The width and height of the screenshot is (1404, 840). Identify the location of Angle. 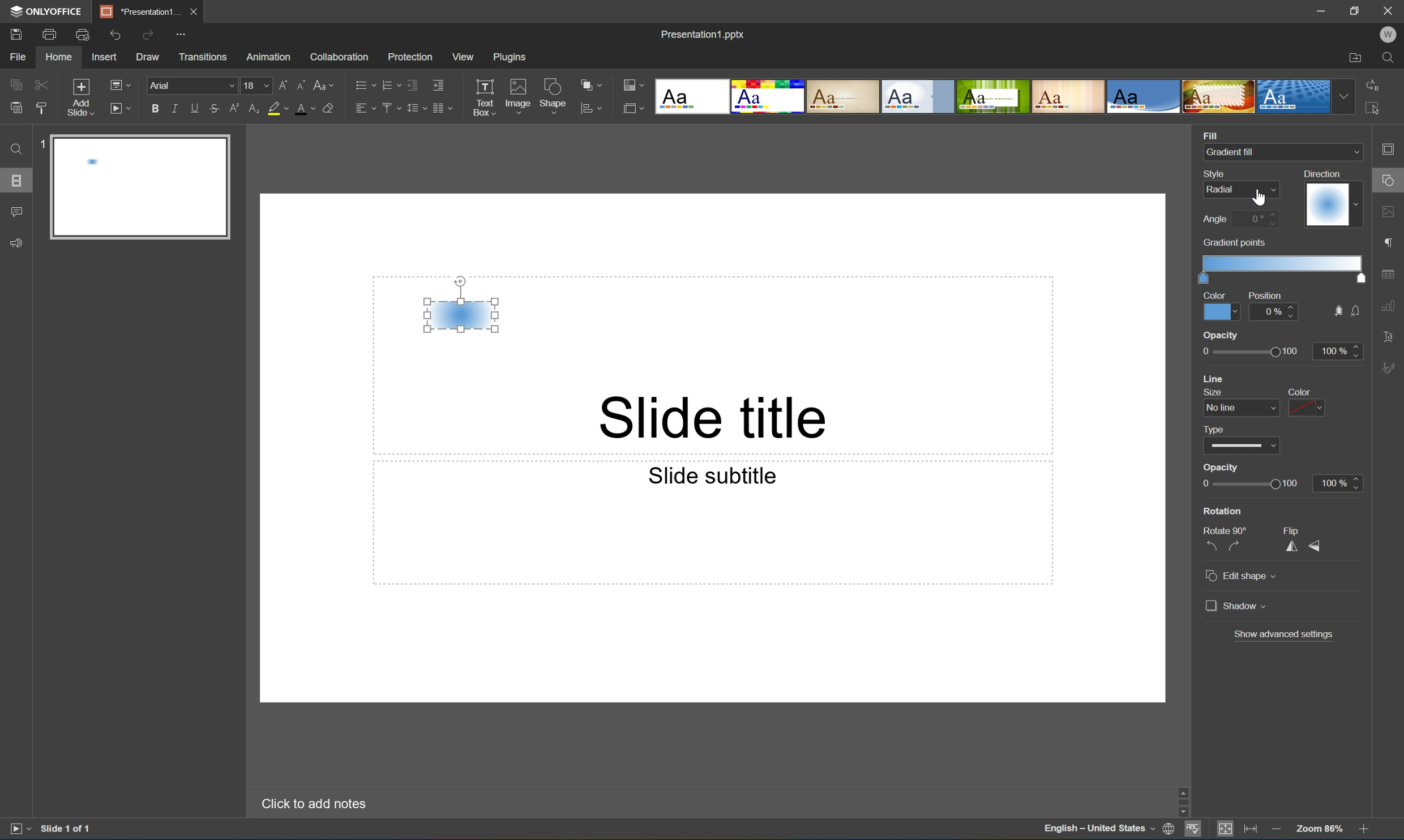
(1215, 218).